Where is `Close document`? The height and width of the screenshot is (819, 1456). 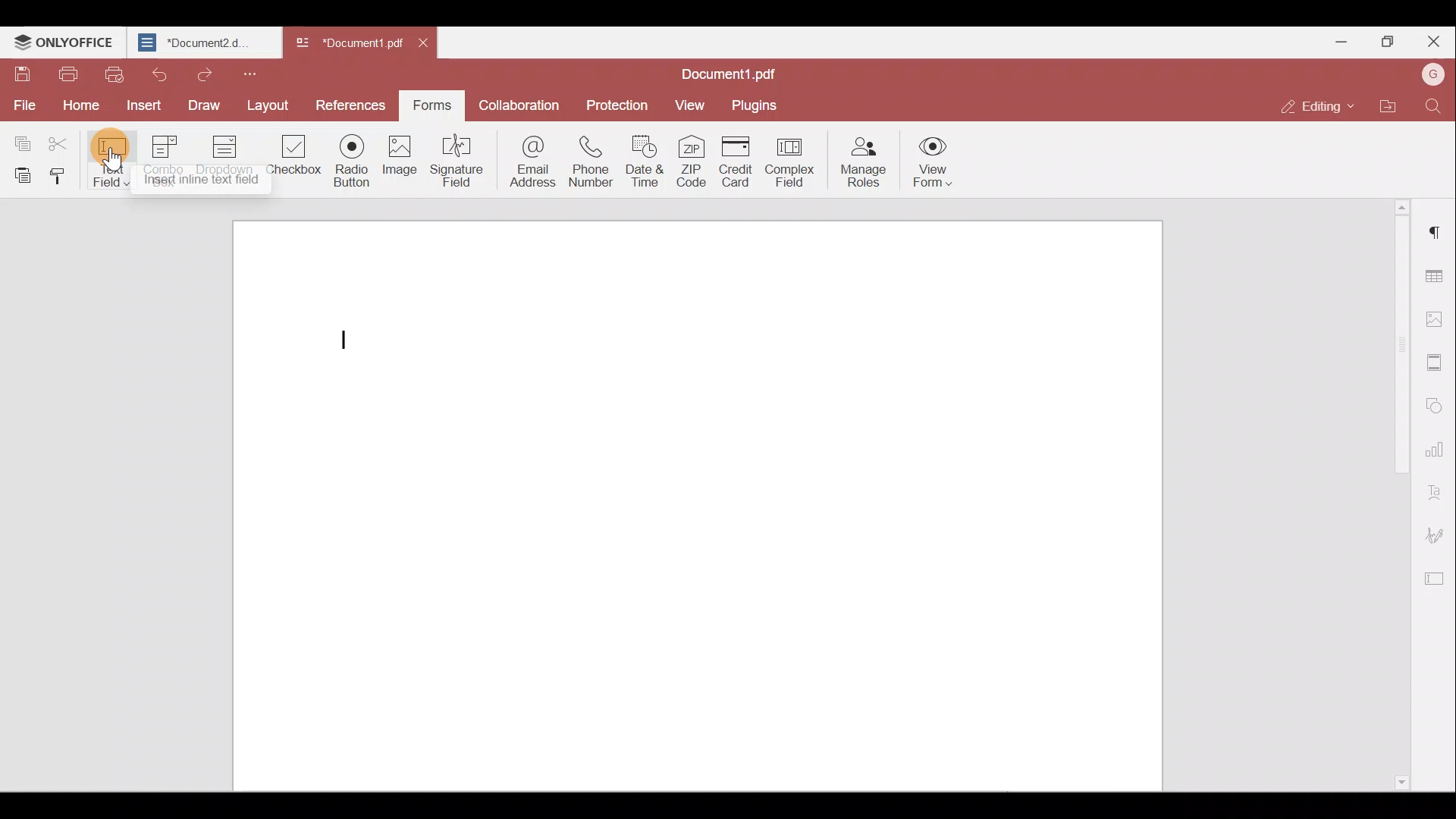
Close document is located at coordinates (427, 45).